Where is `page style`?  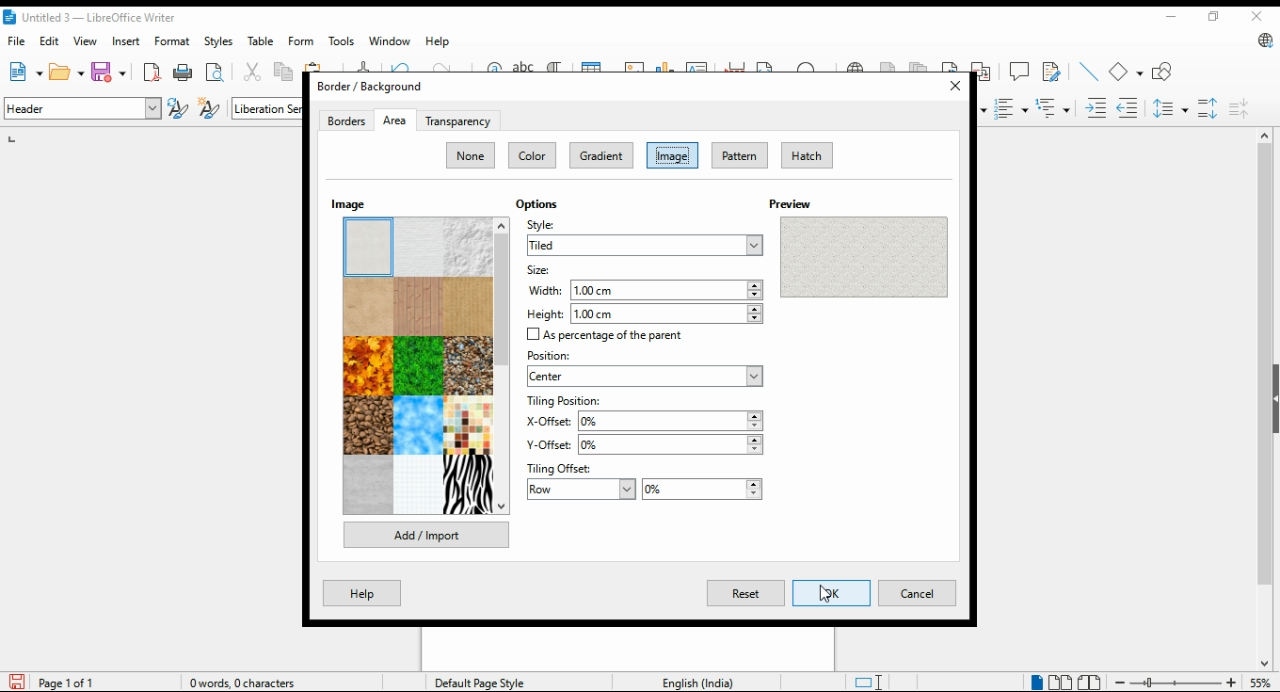
page style is located at coordinates (484, 682).